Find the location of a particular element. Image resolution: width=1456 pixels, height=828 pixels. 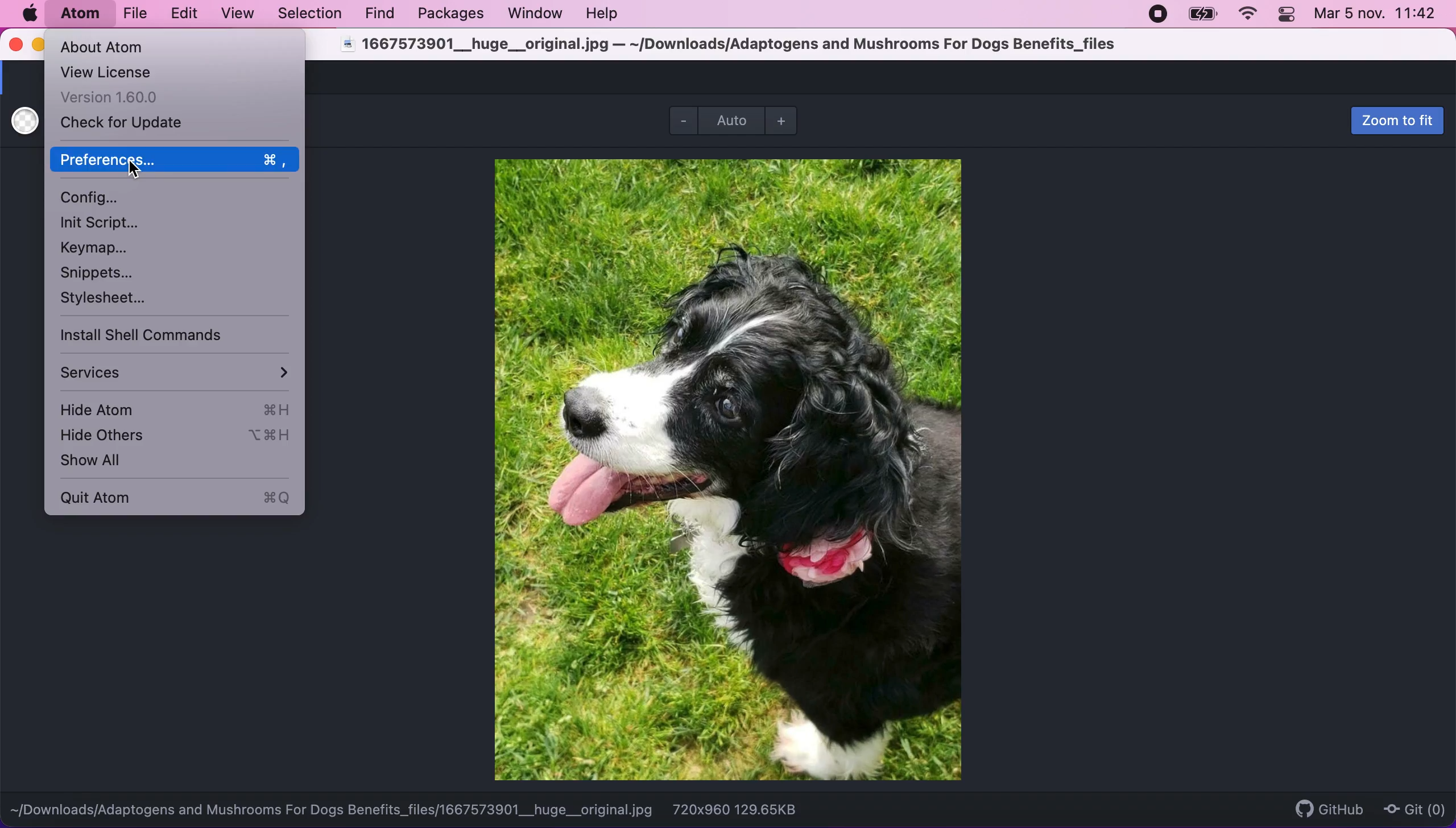

view is located at coordinates (235, 15).